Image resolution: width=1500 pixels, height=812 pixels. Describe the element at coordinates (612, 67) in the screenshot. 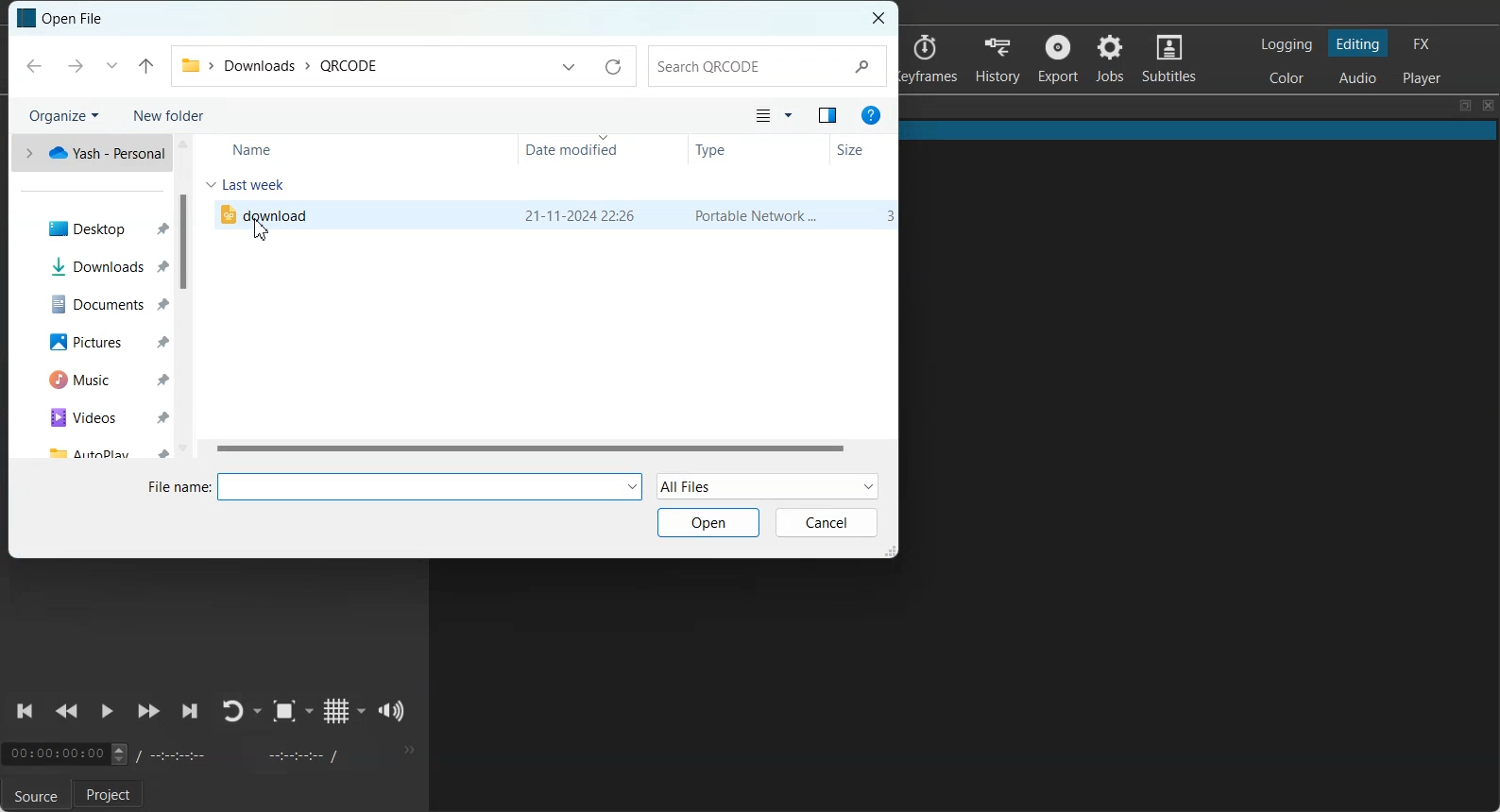

I see `Refresh` at that location.